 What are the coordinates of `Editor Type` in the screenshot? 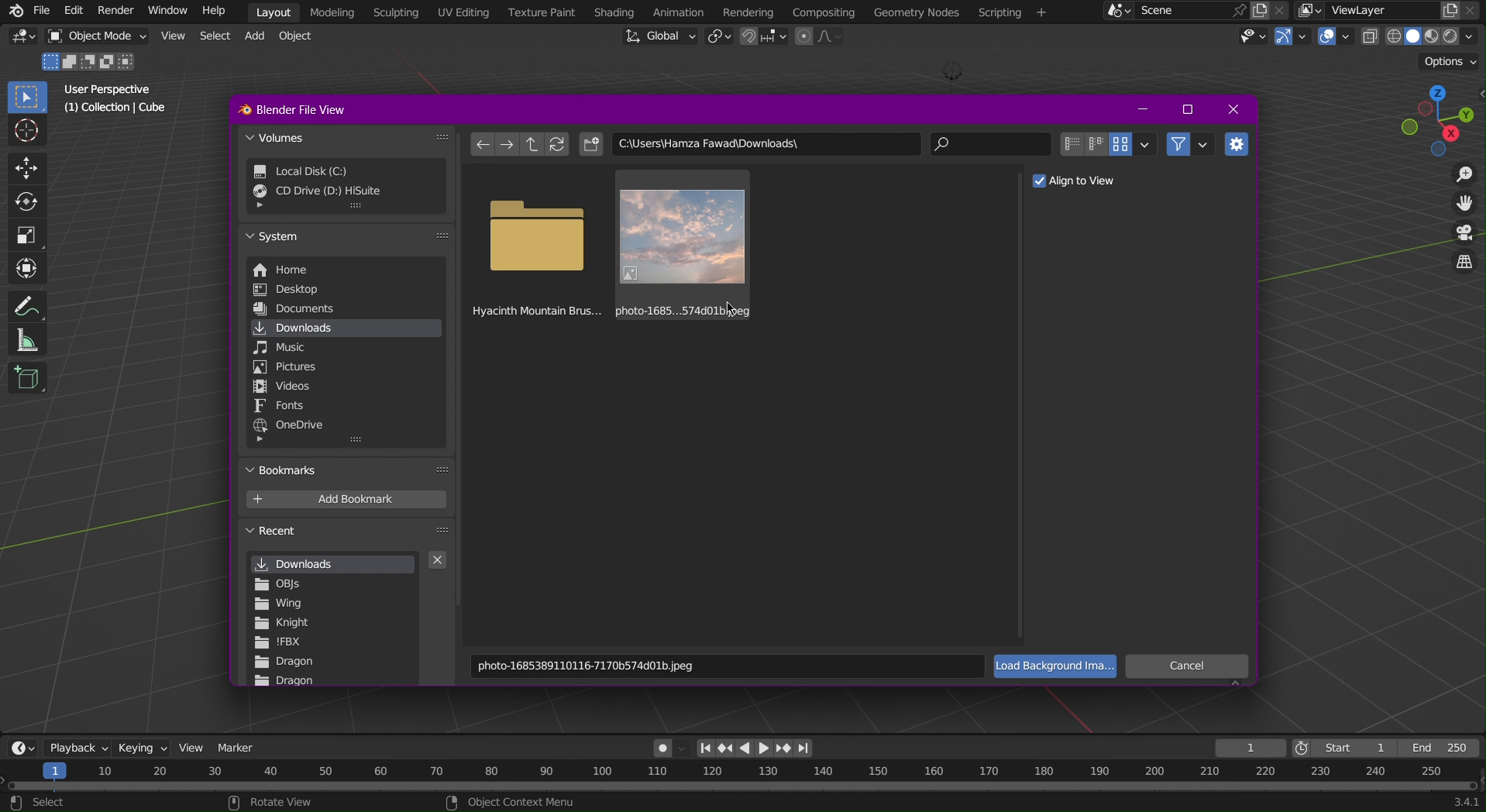 It's located at (24, 39).